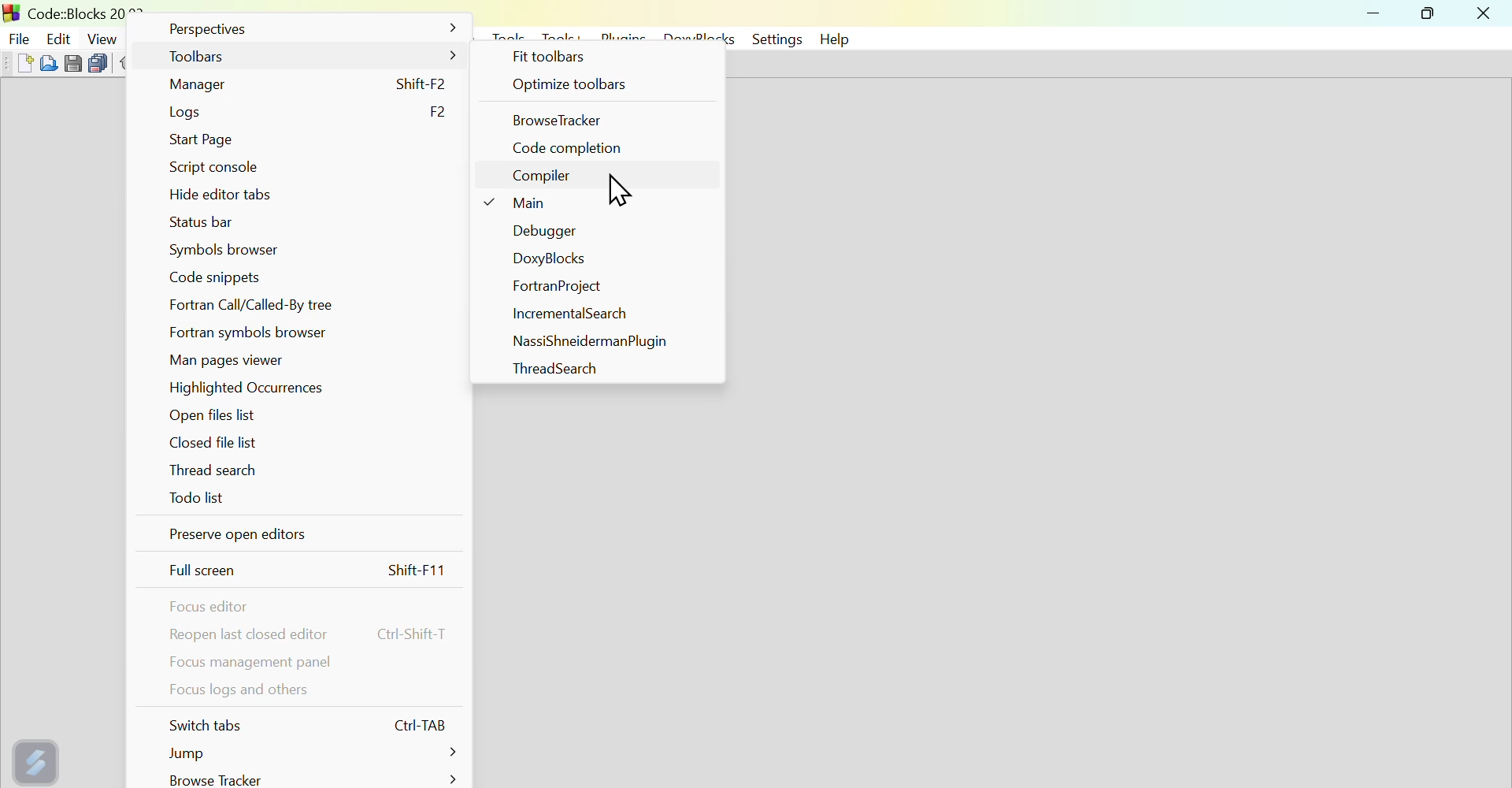 The width and height of the screenshot is (1512, 788). I want to click on maximise, so click(1432, 16).